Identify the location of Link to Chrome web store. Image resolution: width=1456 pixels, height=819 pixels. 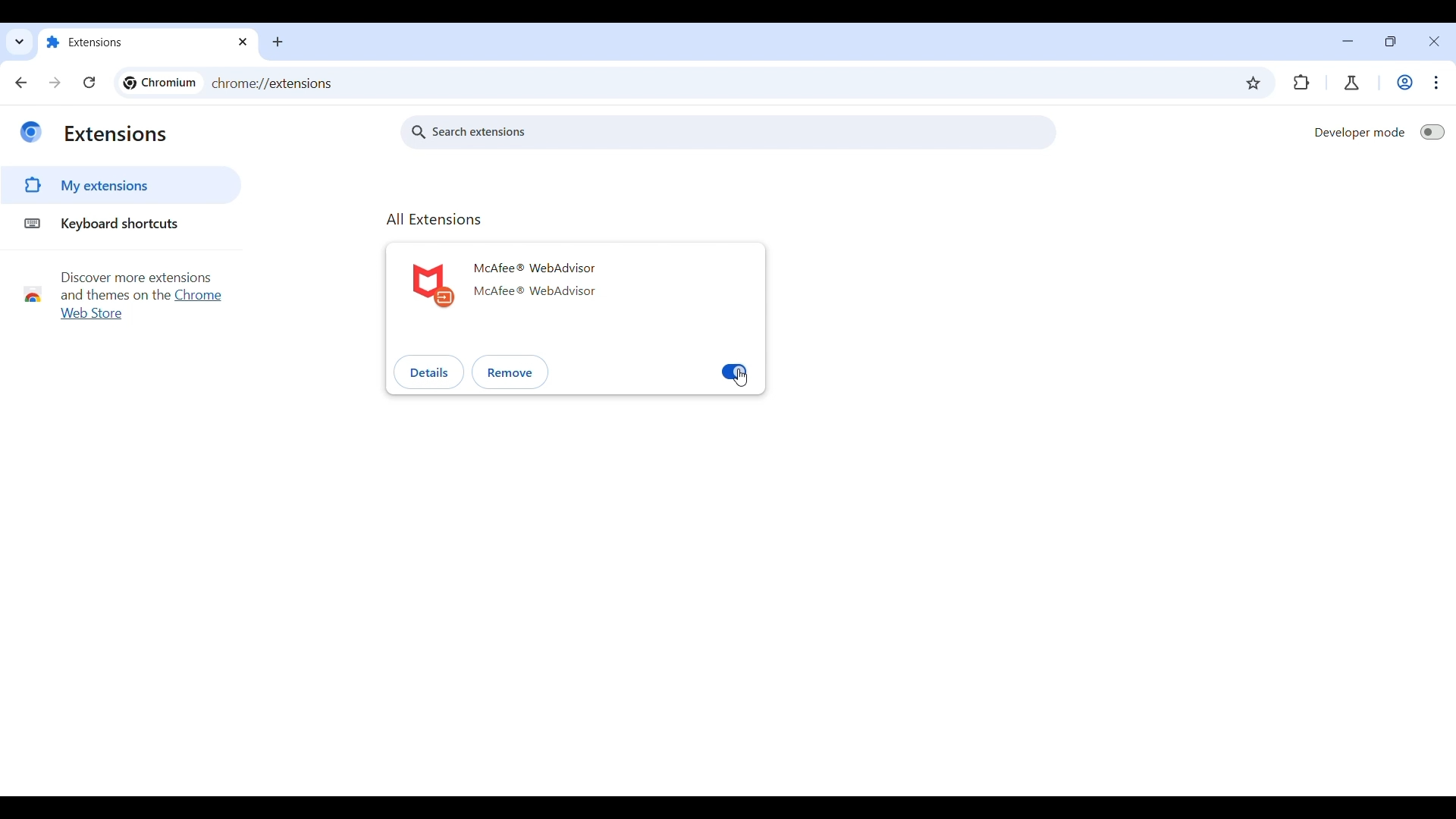
(198, 295).